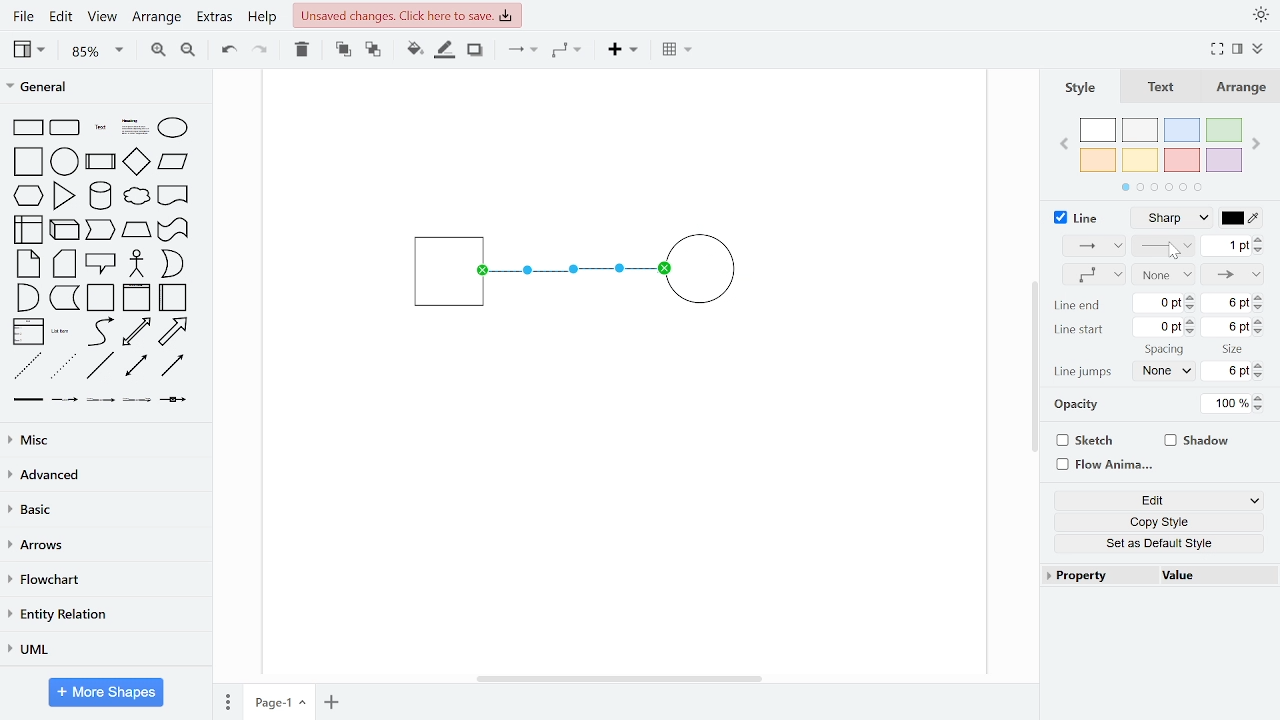  I want to click on current diagram, so click(589, 274).